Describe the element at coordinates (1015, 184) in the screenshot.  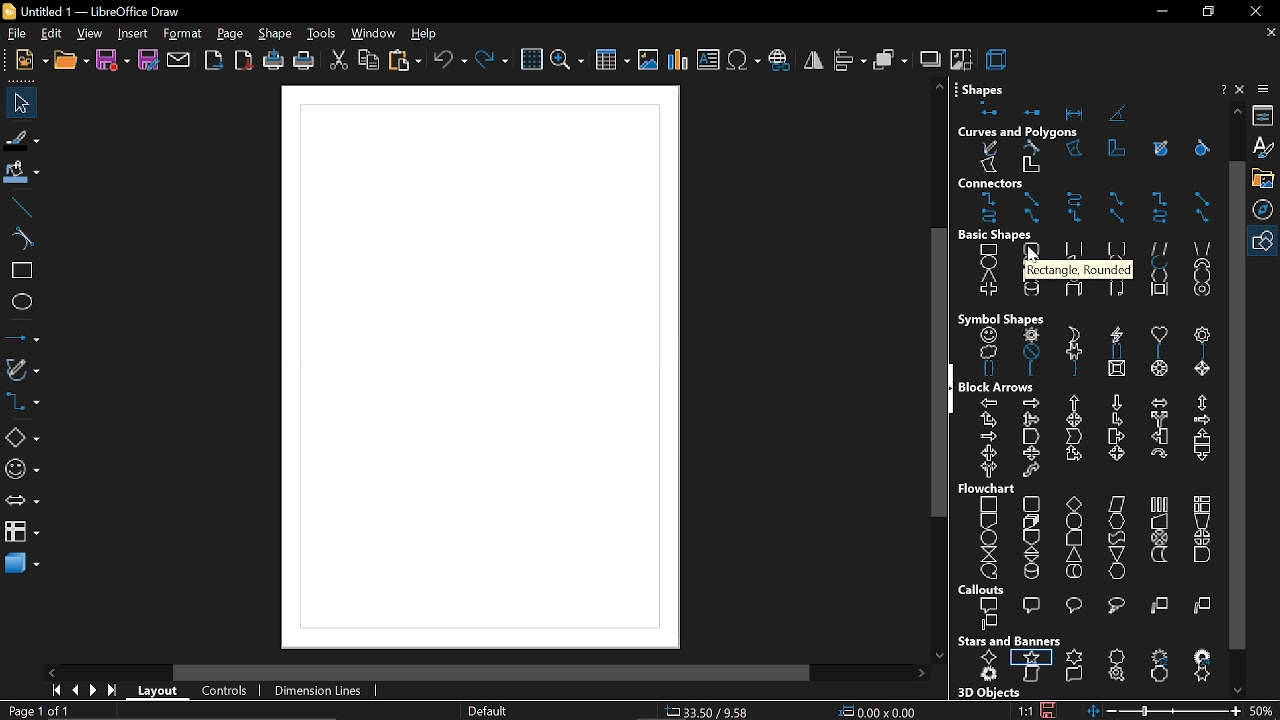
I see `connectors` at that location.